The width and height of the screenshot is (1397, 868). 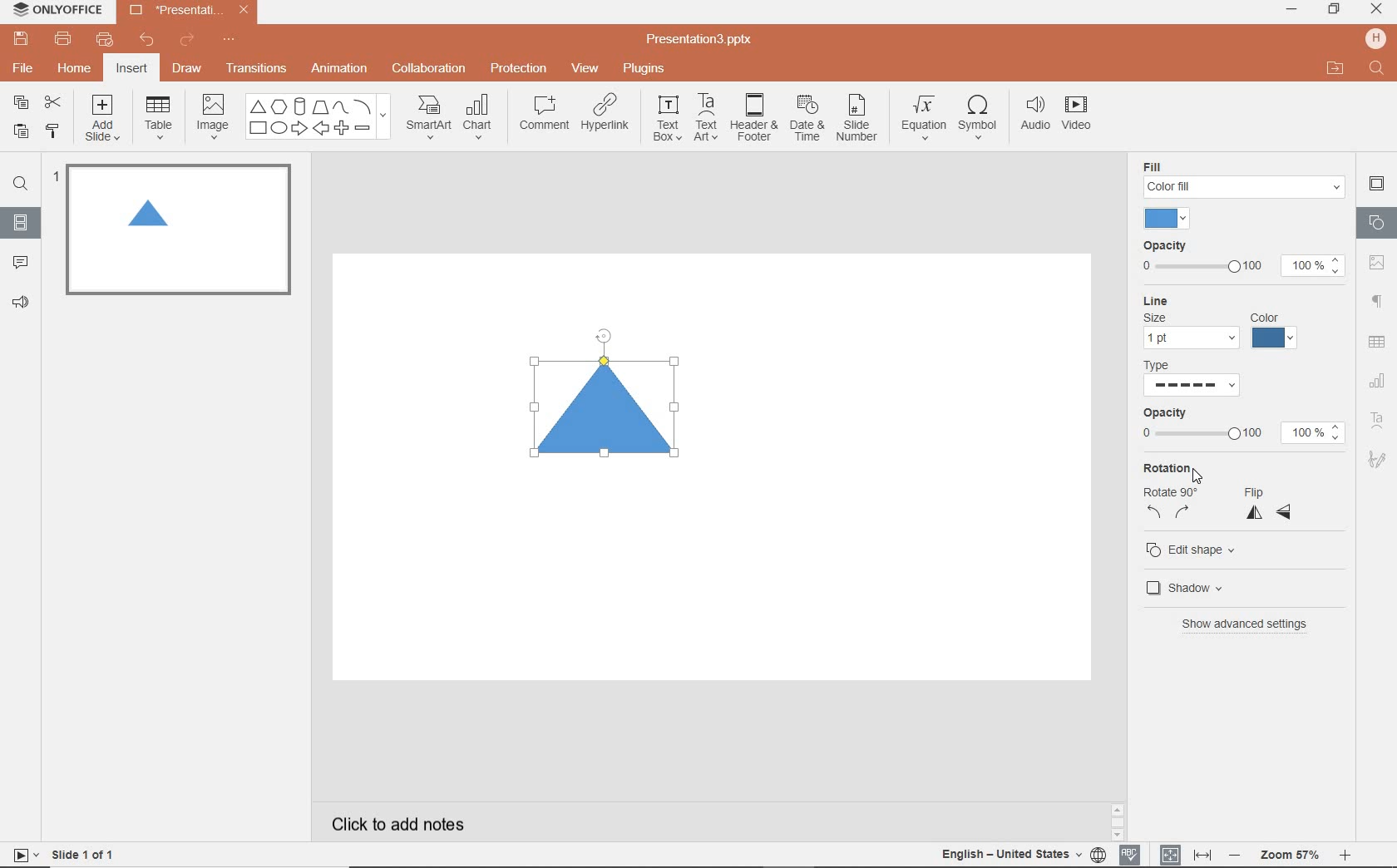 I want to click on SMARTART, so click(x=429, y=123).